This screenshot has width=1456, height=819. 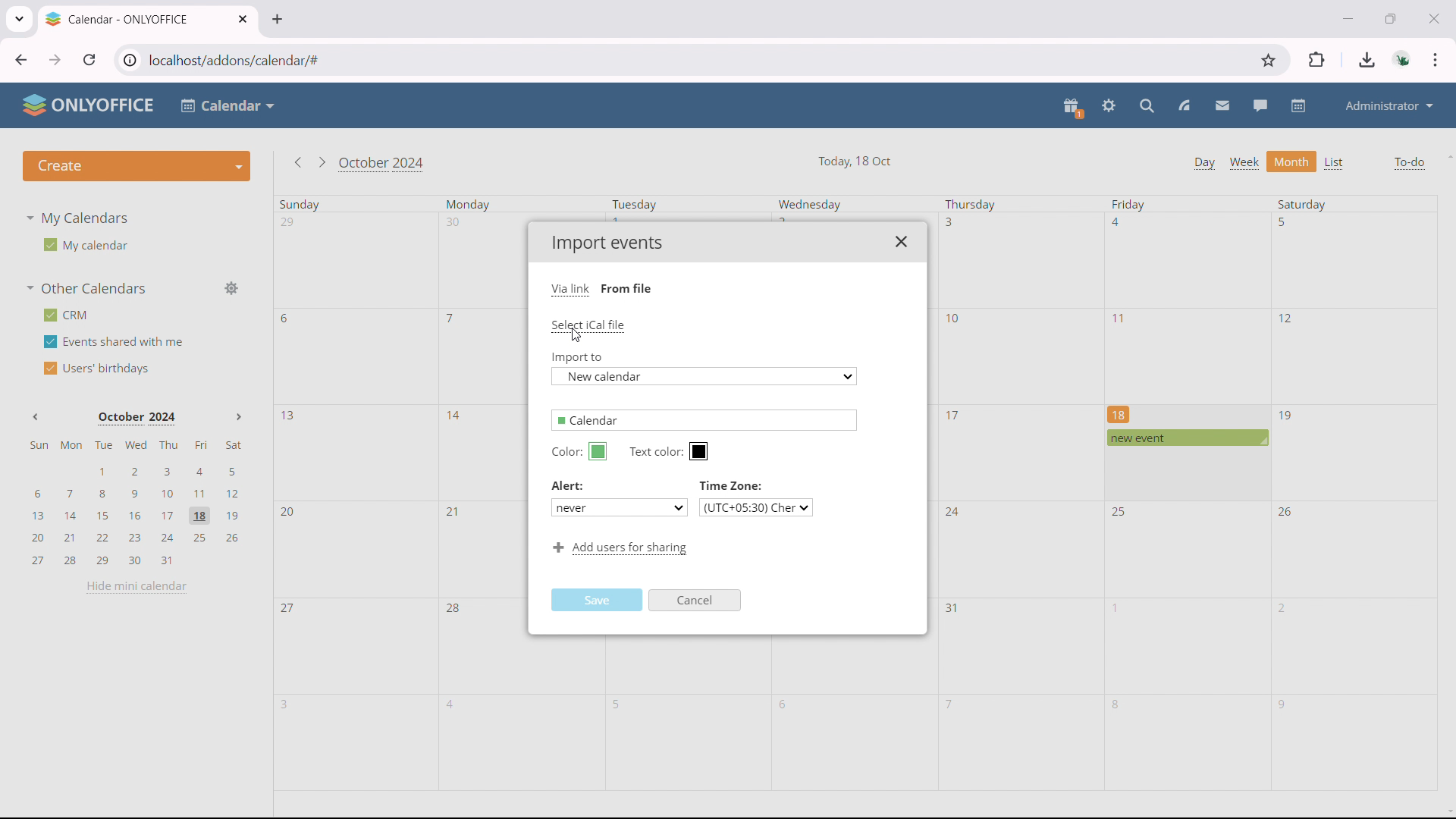 I want to click on users' birthdays, so click(x=98, y=369).